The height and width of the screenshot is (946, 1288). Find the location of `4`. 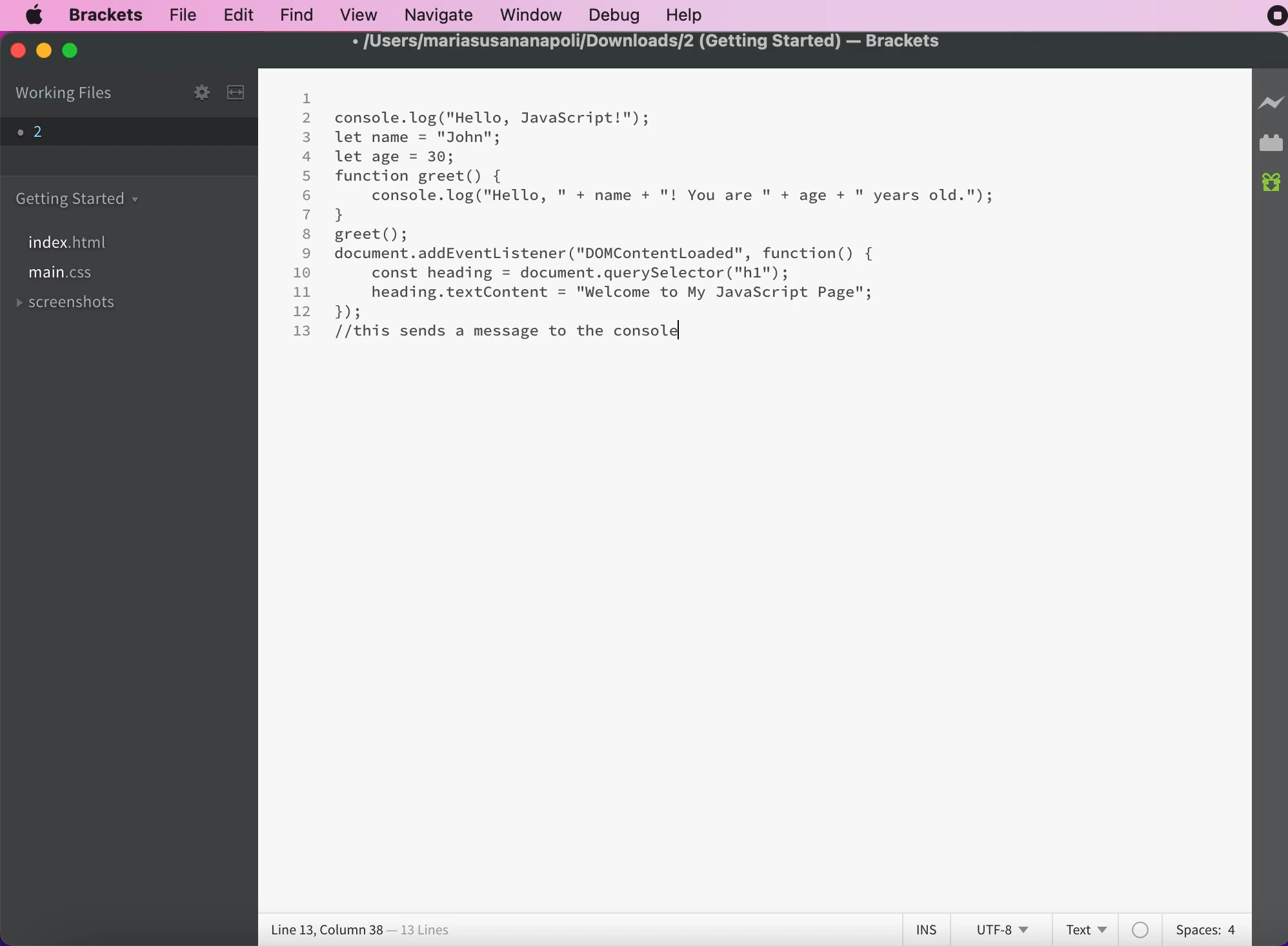

4 is located at coordinates (307, 157).